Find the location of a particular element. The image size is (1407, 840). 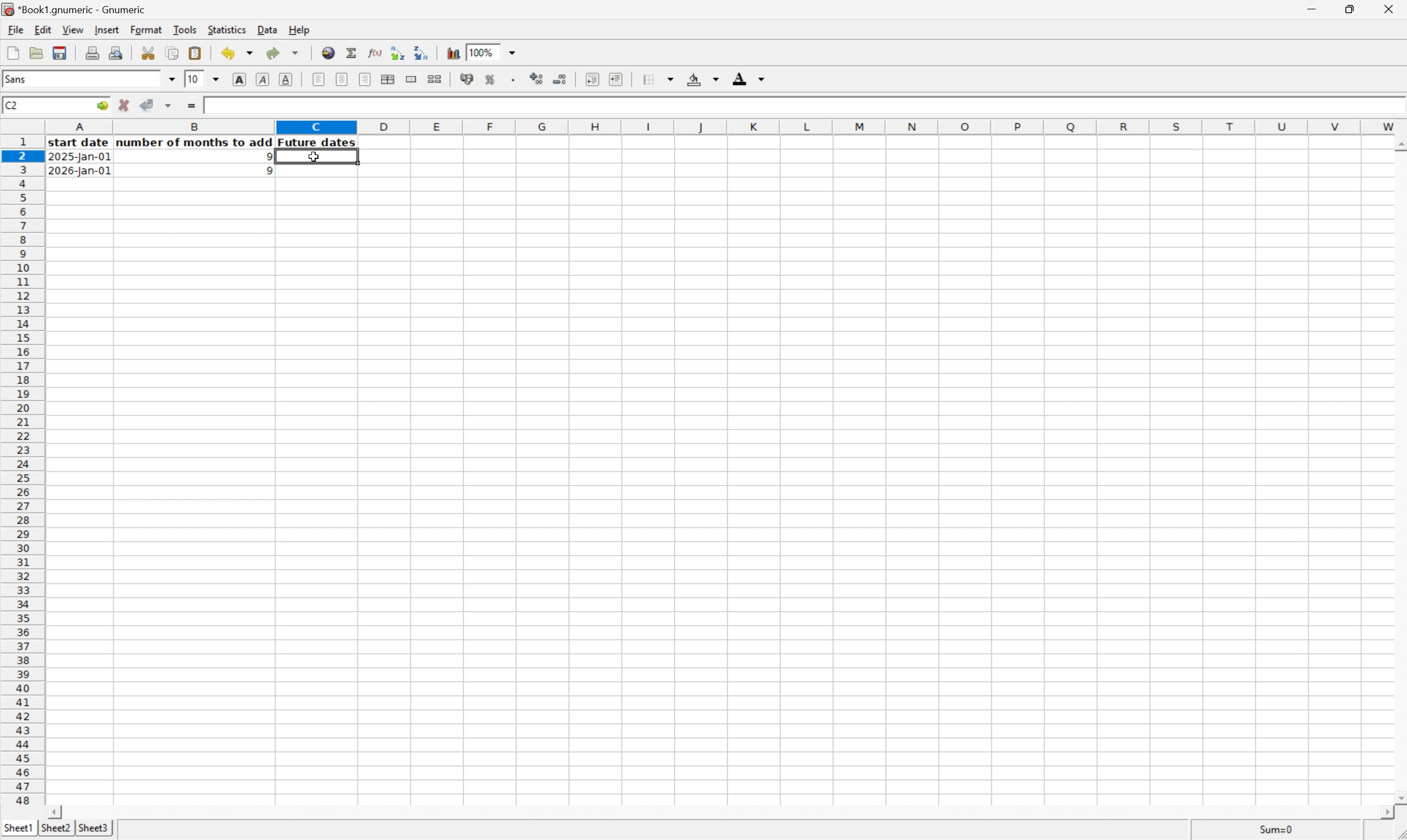

Drop Down is located at coordinates (517, 53).